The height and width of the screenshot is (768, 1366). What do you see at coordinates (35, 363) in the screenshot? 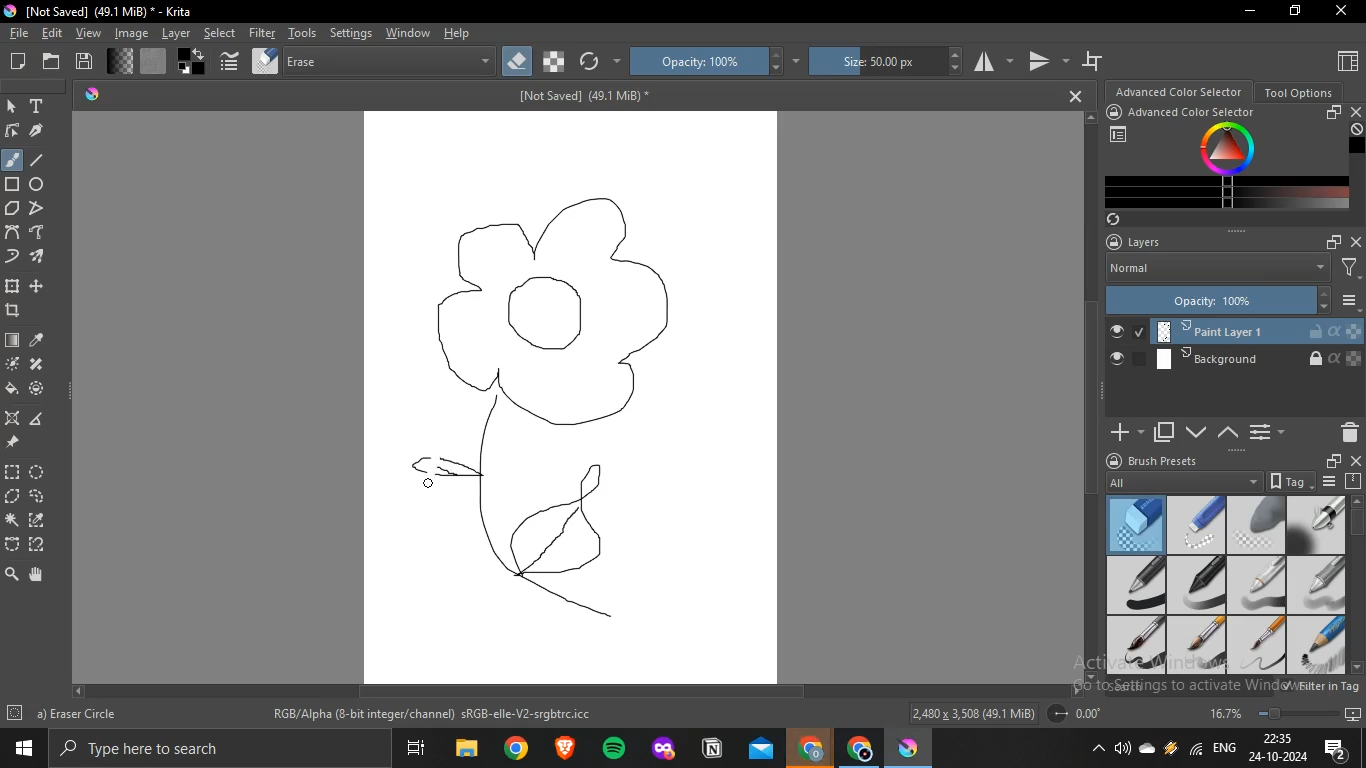
I see `smart patch tool` at bounding box center [35, 363].